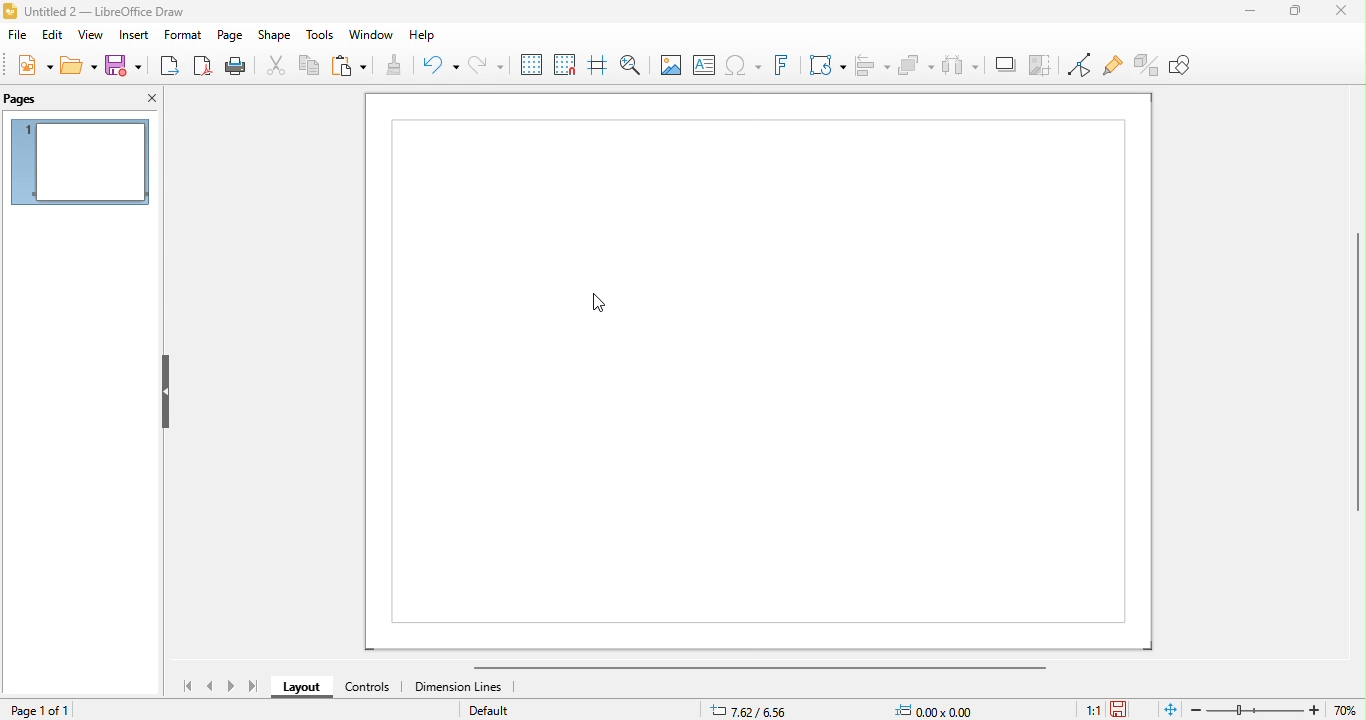 This screenshot has height=720, width=1366. Describe the element at coordinates (393, 68) in the screenshot. I see `clone` at that location.